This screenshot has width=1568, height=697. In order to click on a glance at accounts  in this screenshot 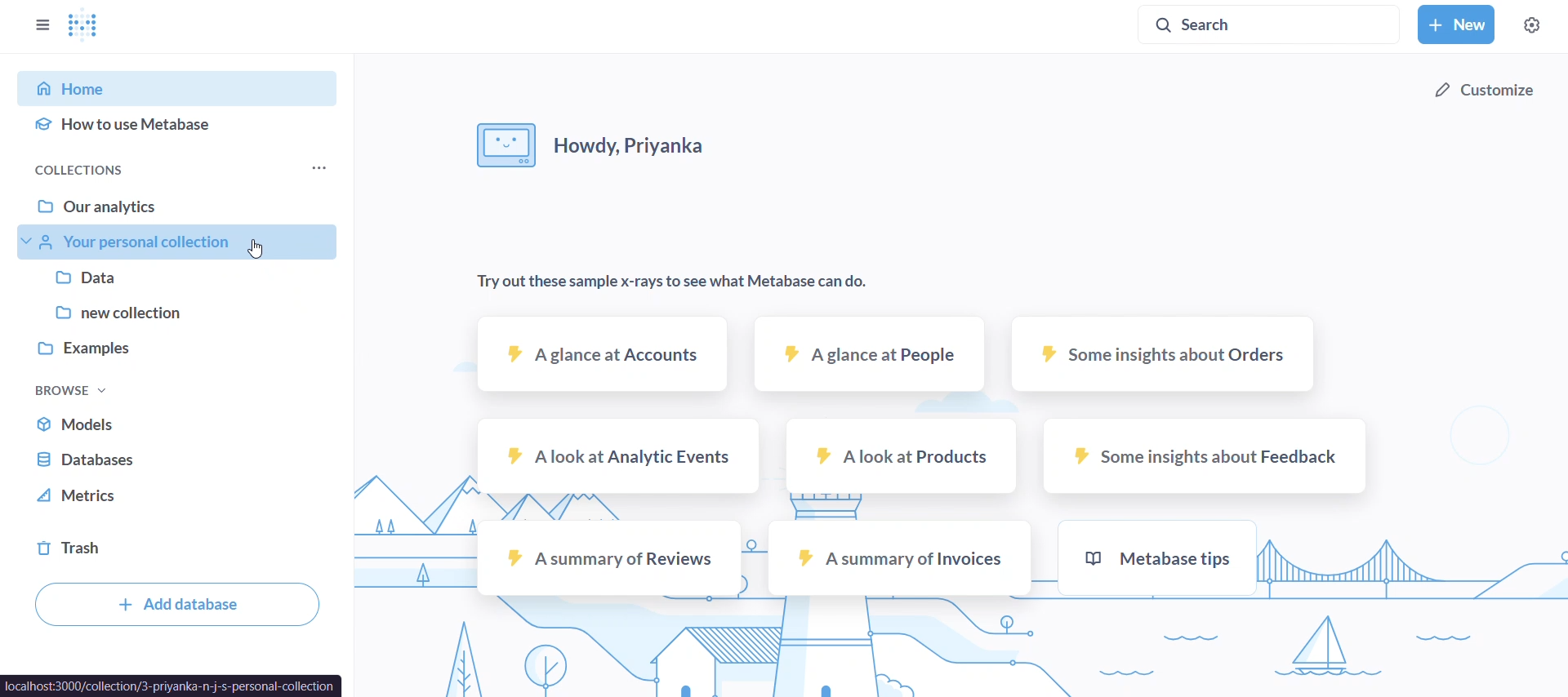, I will do `click(604, 353)`.